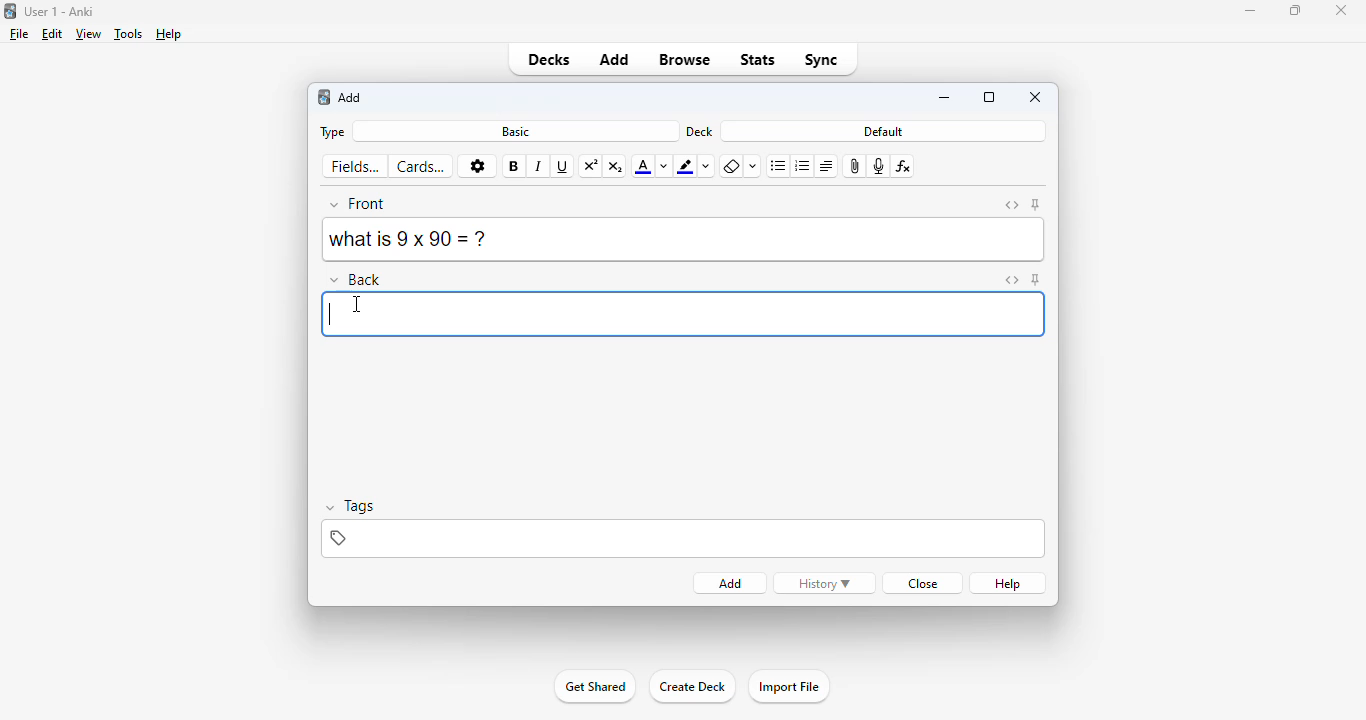 The image size is (1366, 720). What do you see at coordinates (539, 167) in the screenshot?
I see `italic` at bounding box center [539, 167].